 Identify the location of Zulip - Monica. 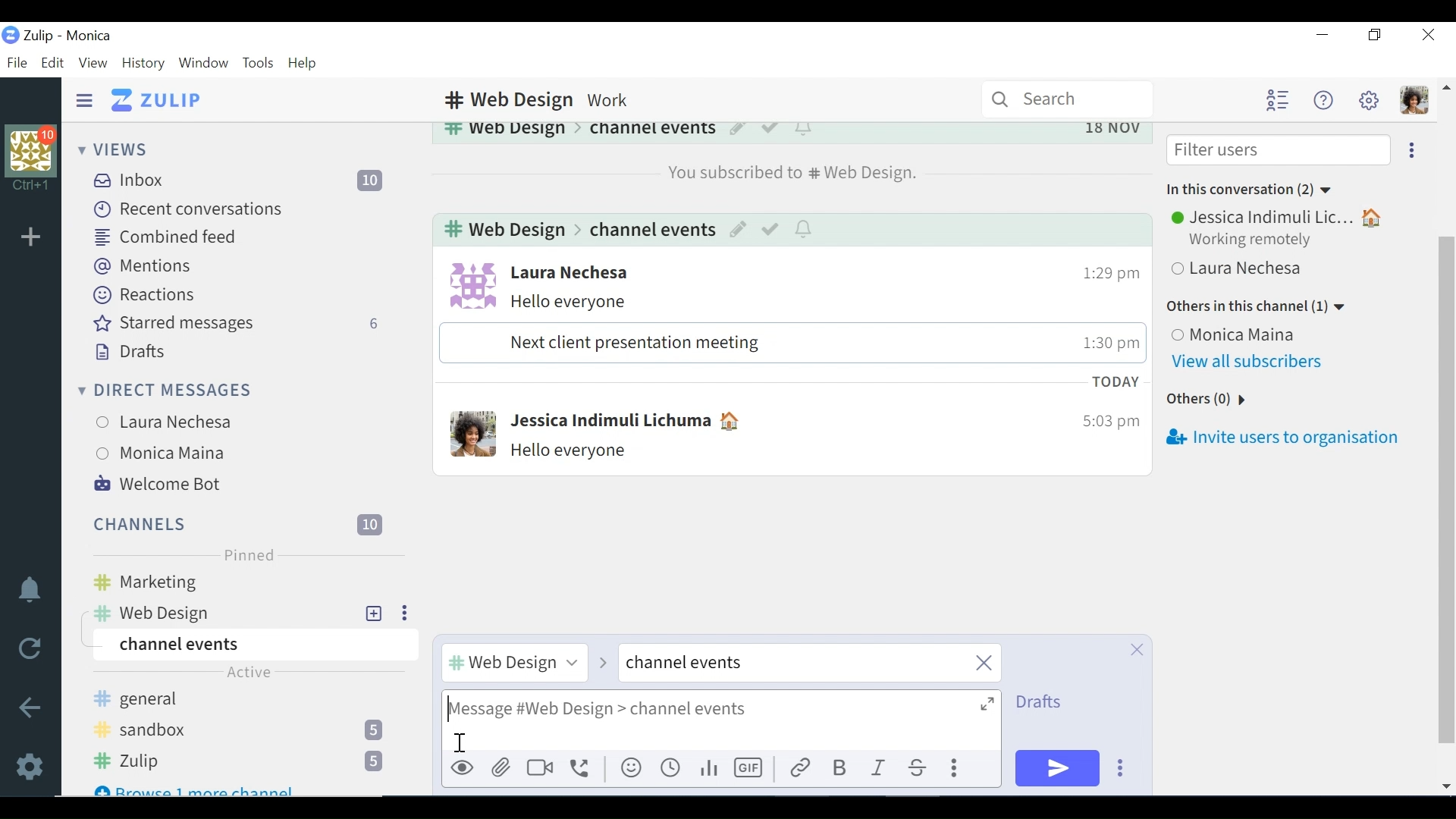
(69, 35).